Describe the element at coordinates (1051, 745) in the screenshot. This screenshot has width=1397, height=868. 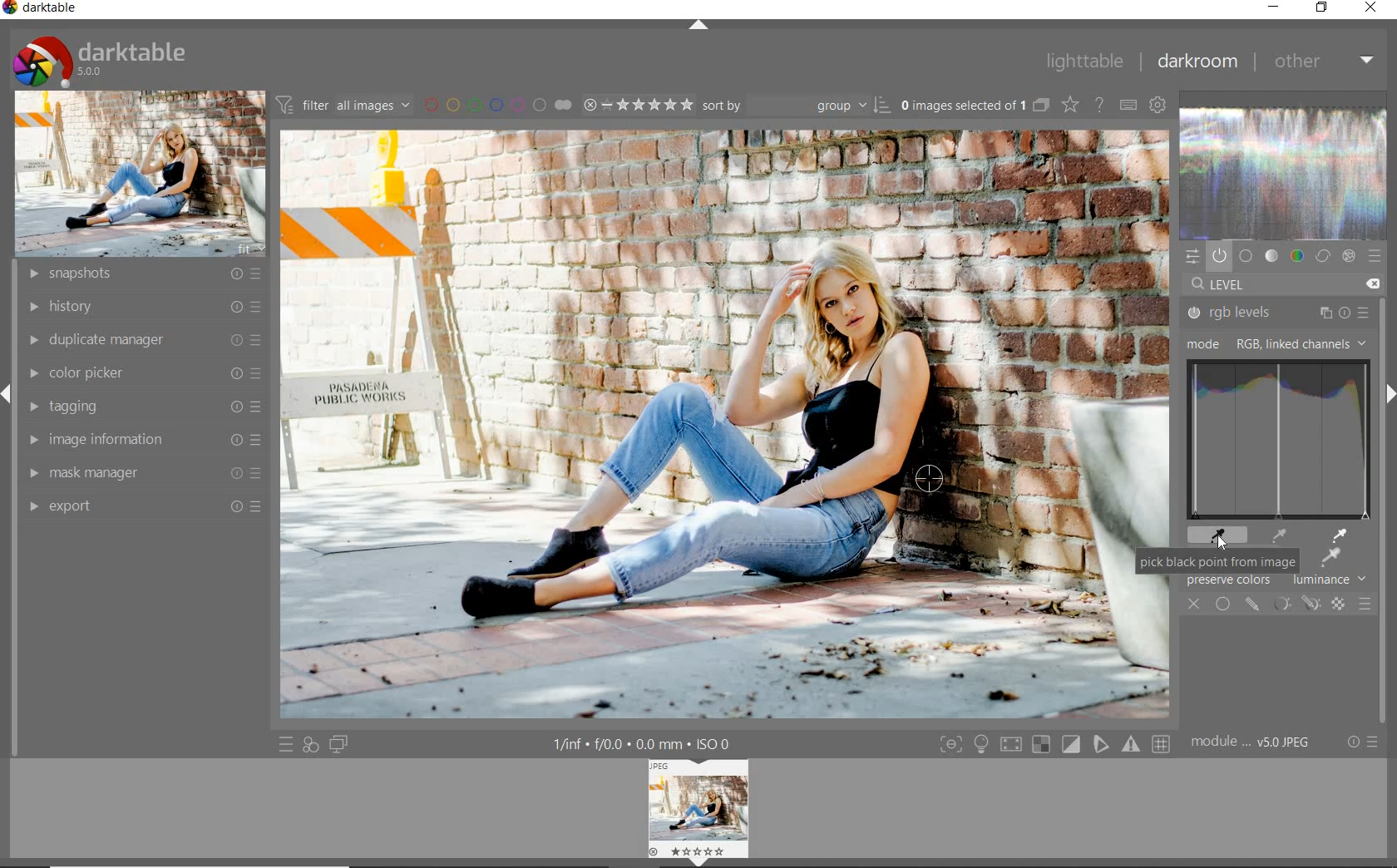
I see `toggle modes` at that location.